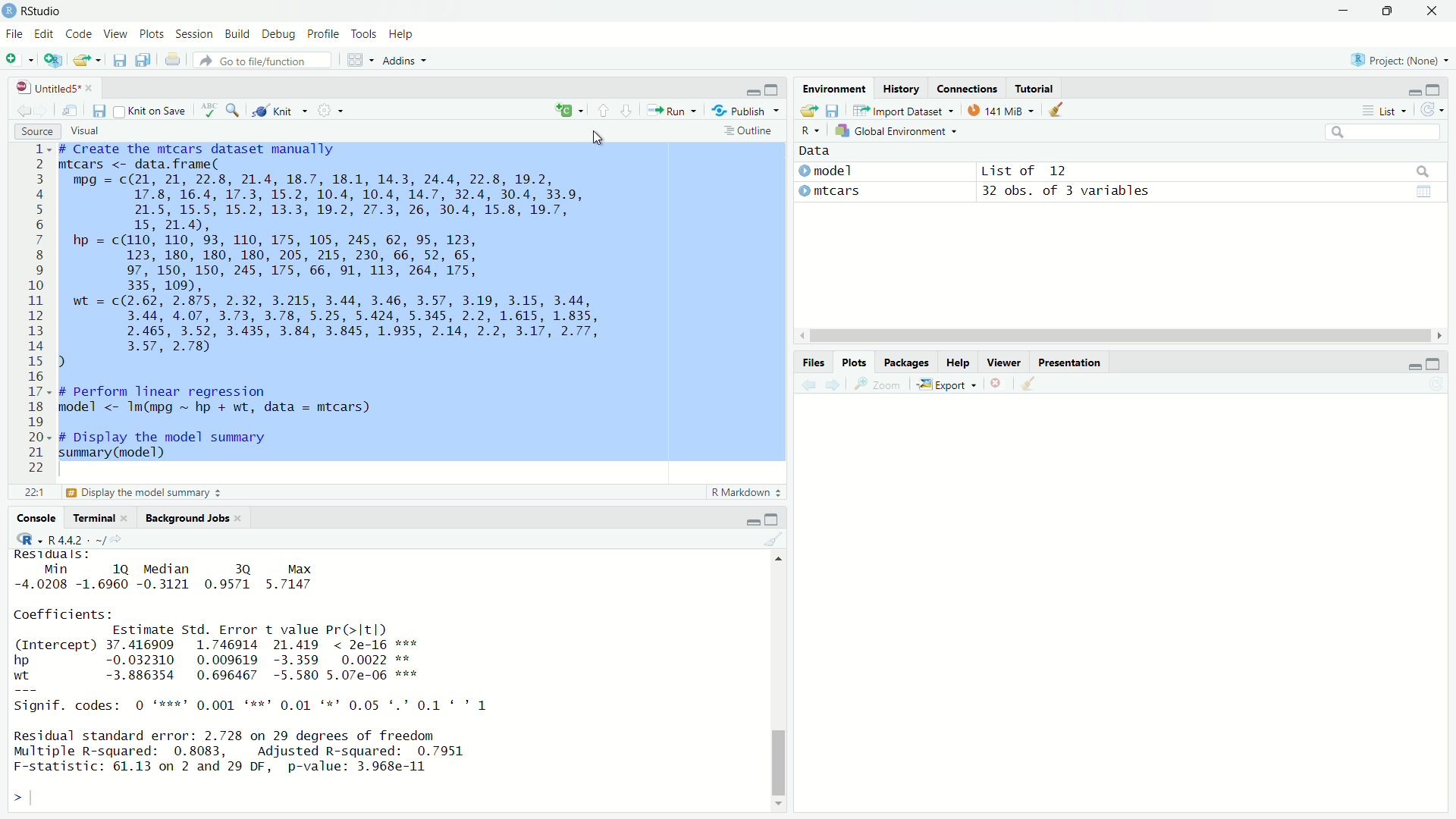 The width and height of the screenshot is (1456, 819). I want to click on plots, so click(152, 34).